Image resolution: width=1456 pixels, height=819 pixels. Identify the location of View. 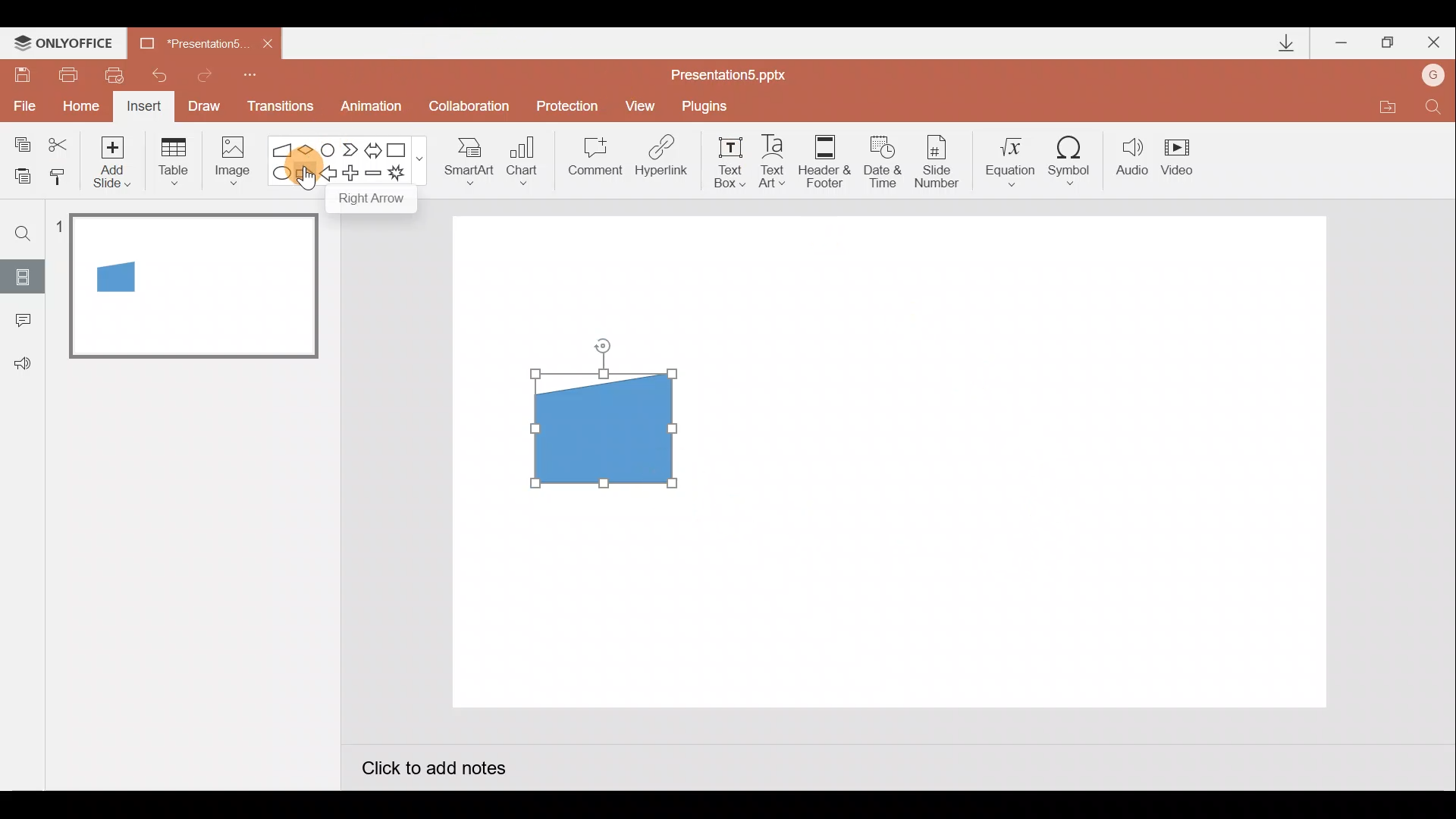
(642, 105).